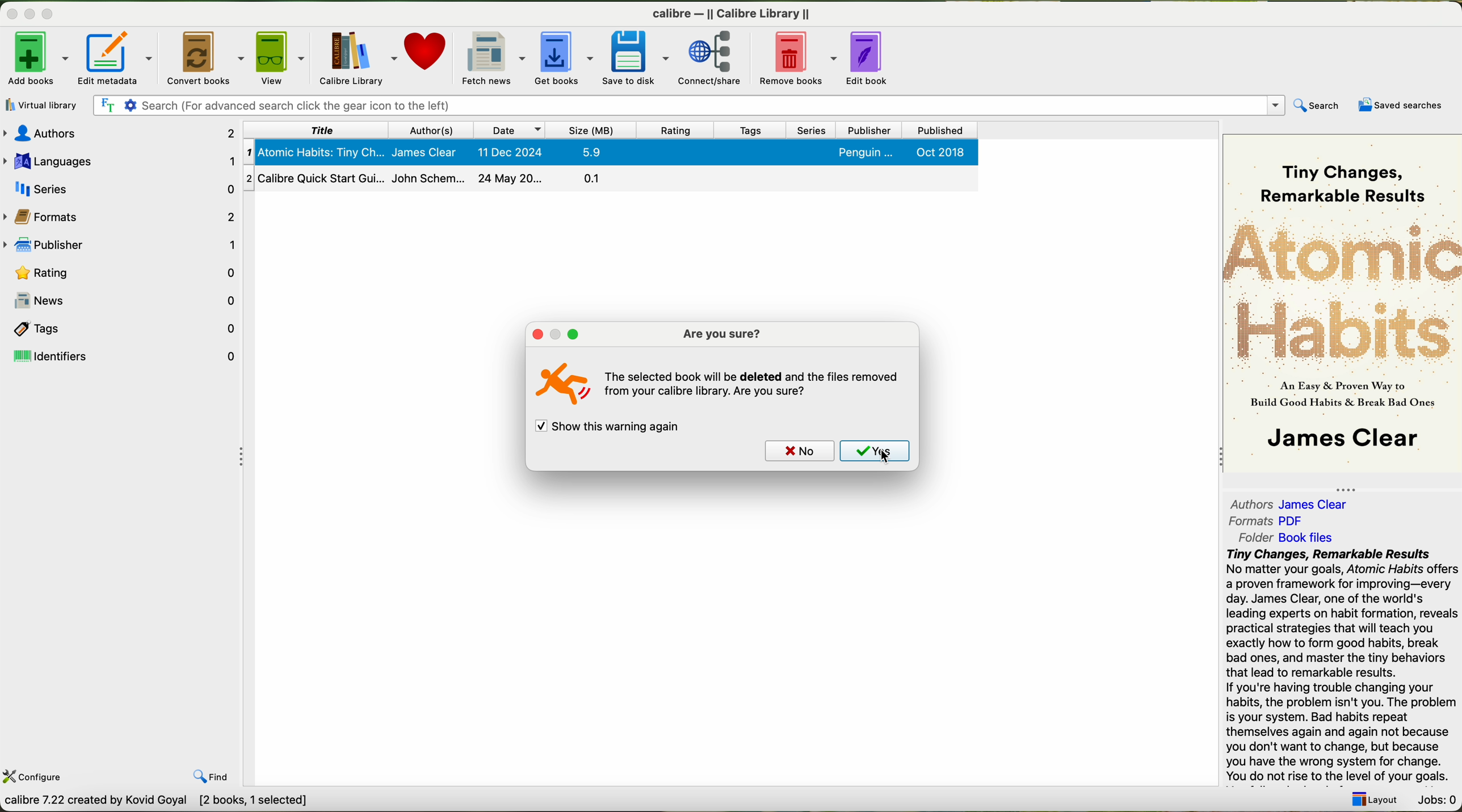  Describe the element at coordinates (592, 129) in the screenshot. I see `size` at that location.